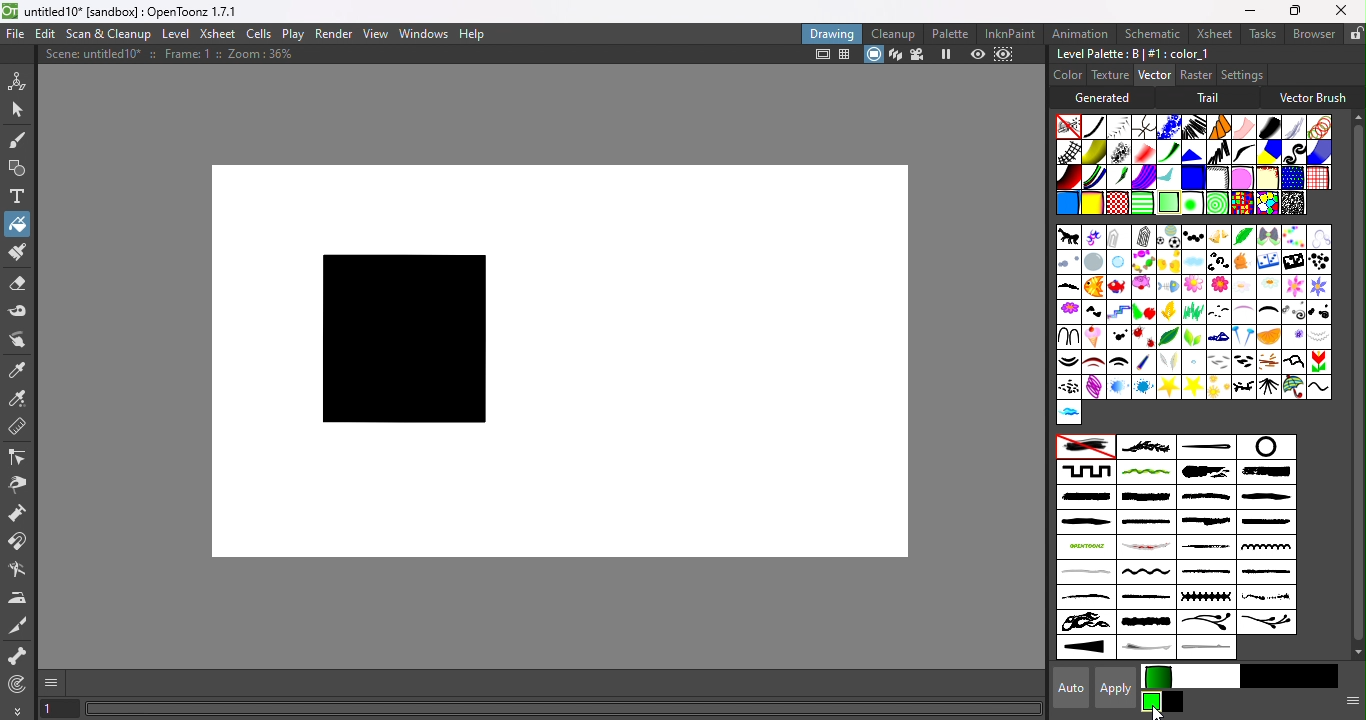 The height and width of the screenshot is (720, 1366). Describe the element at coordinates (1167, 127) in the screenshot. I see `Circlets` at that location.